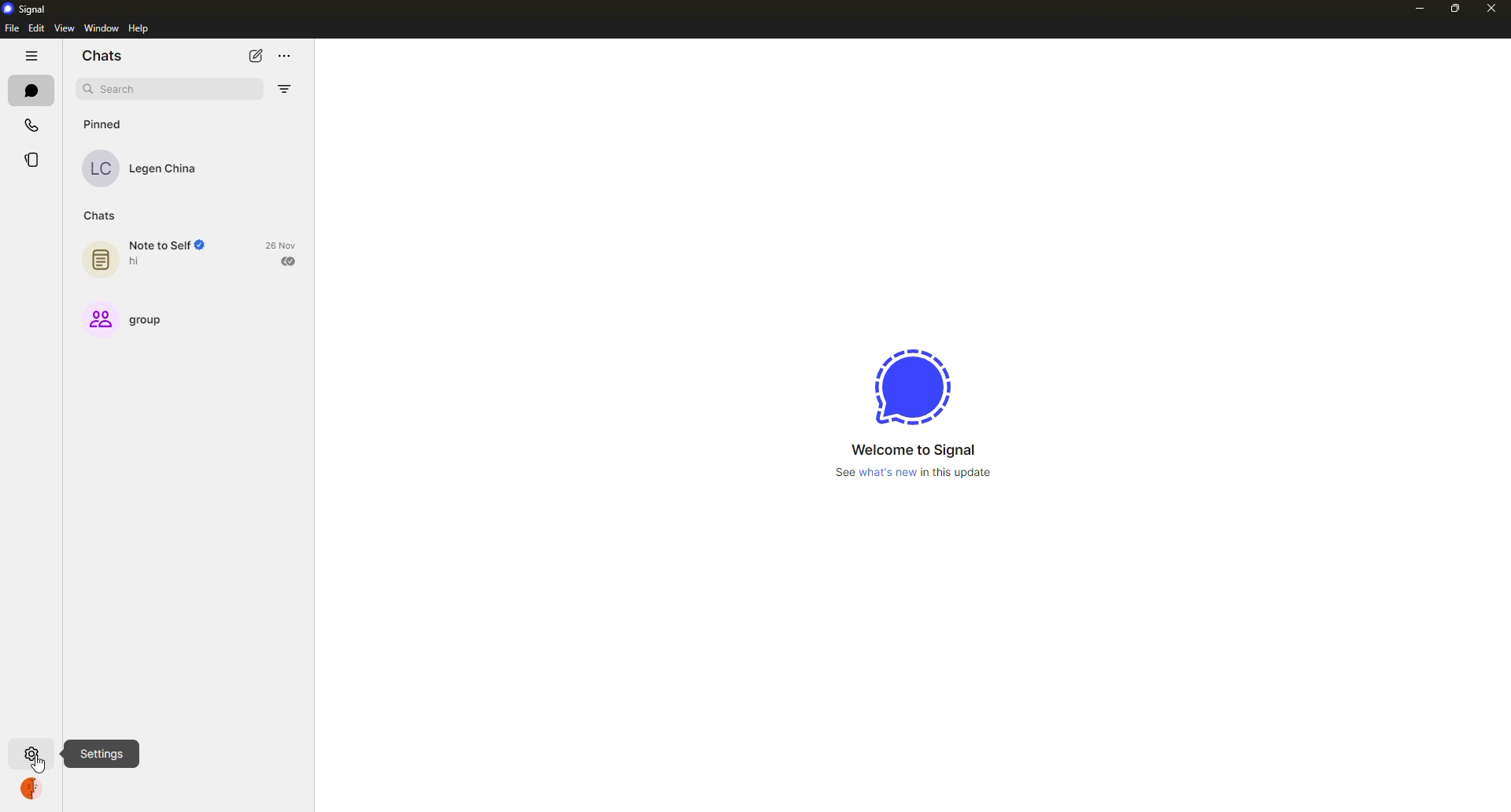  I want to click on hide tabs, so click(31, 56).